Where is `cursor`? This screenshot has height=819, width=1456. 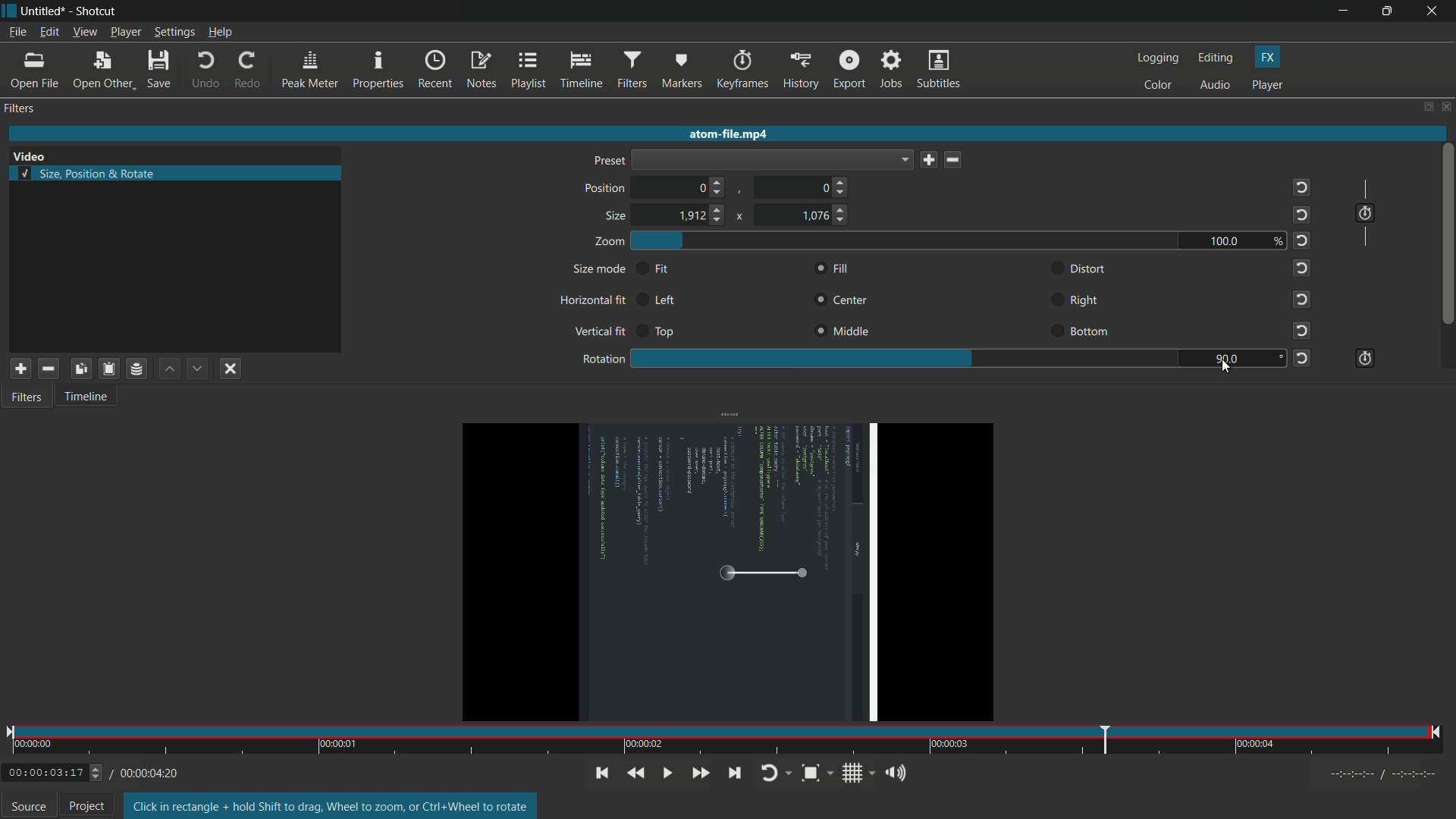 cursor is located at coordinates (1229, 371).